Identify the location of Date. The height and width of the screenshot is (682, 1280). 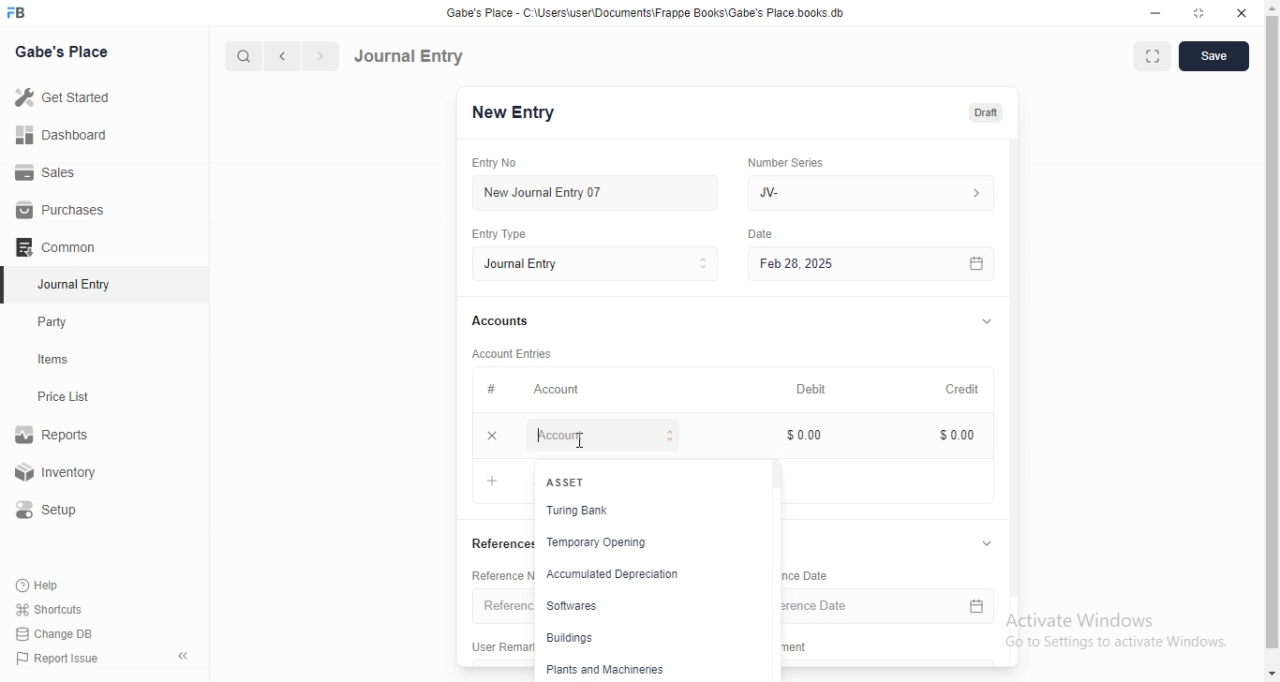
(765, 233).